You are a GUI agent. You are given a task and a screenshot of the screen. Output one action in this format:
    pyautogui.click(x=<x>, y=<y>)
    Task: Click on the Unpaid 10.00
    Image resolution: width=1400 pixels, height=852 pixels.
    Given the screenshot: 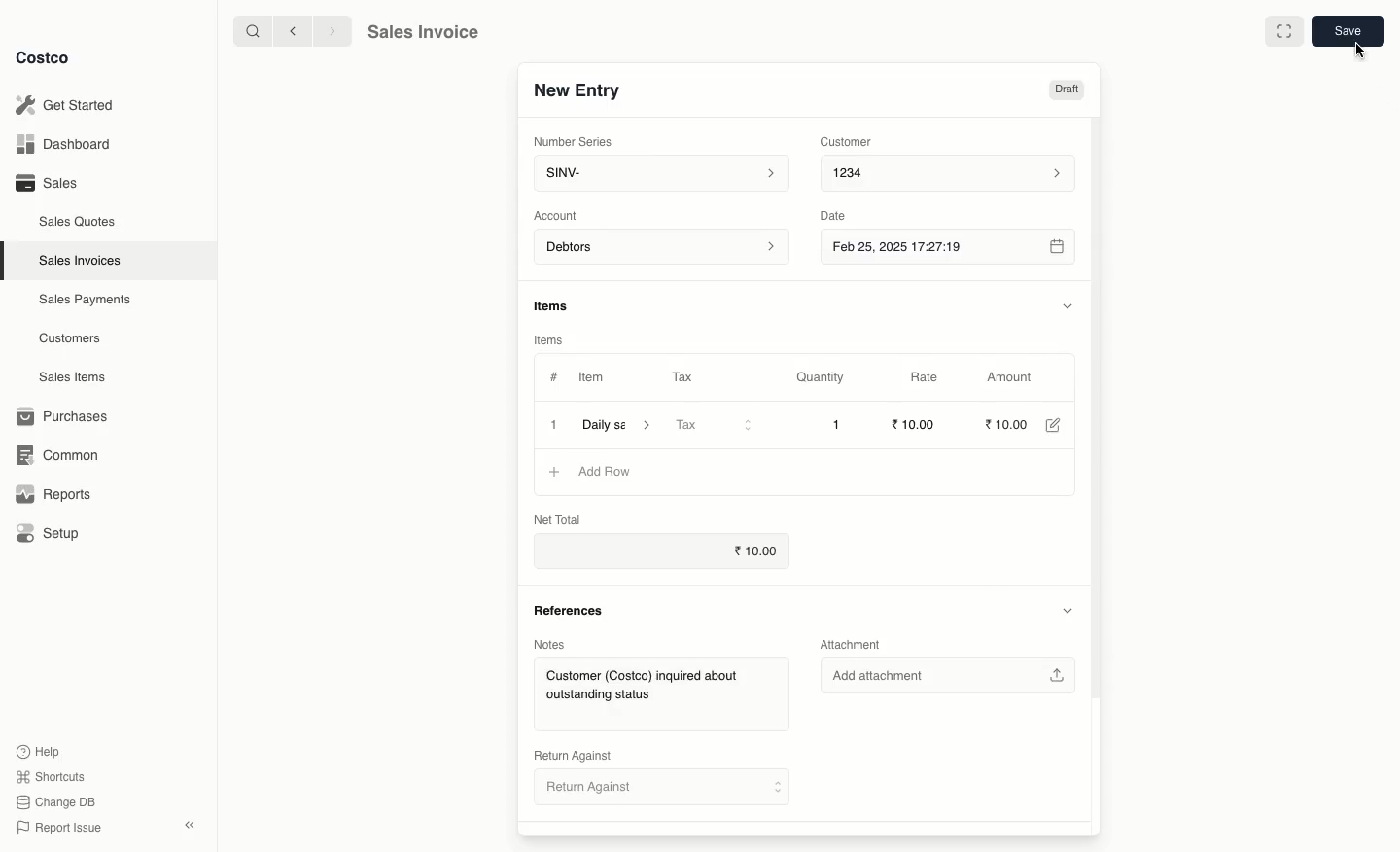 What is the action you would take?
    pyautogui.click(x=1040, y=89)
    